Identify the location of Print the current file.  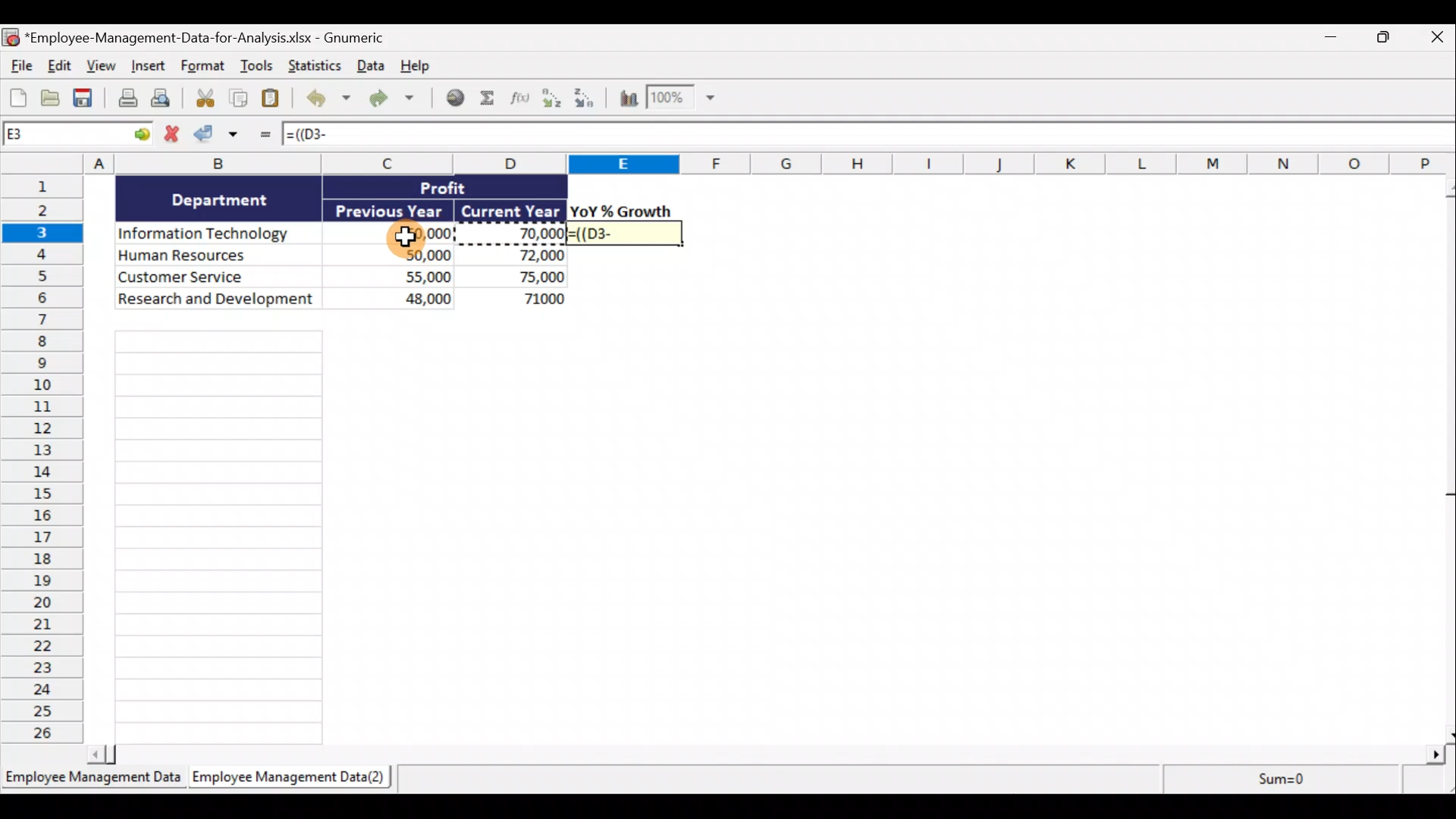
(126, 100).